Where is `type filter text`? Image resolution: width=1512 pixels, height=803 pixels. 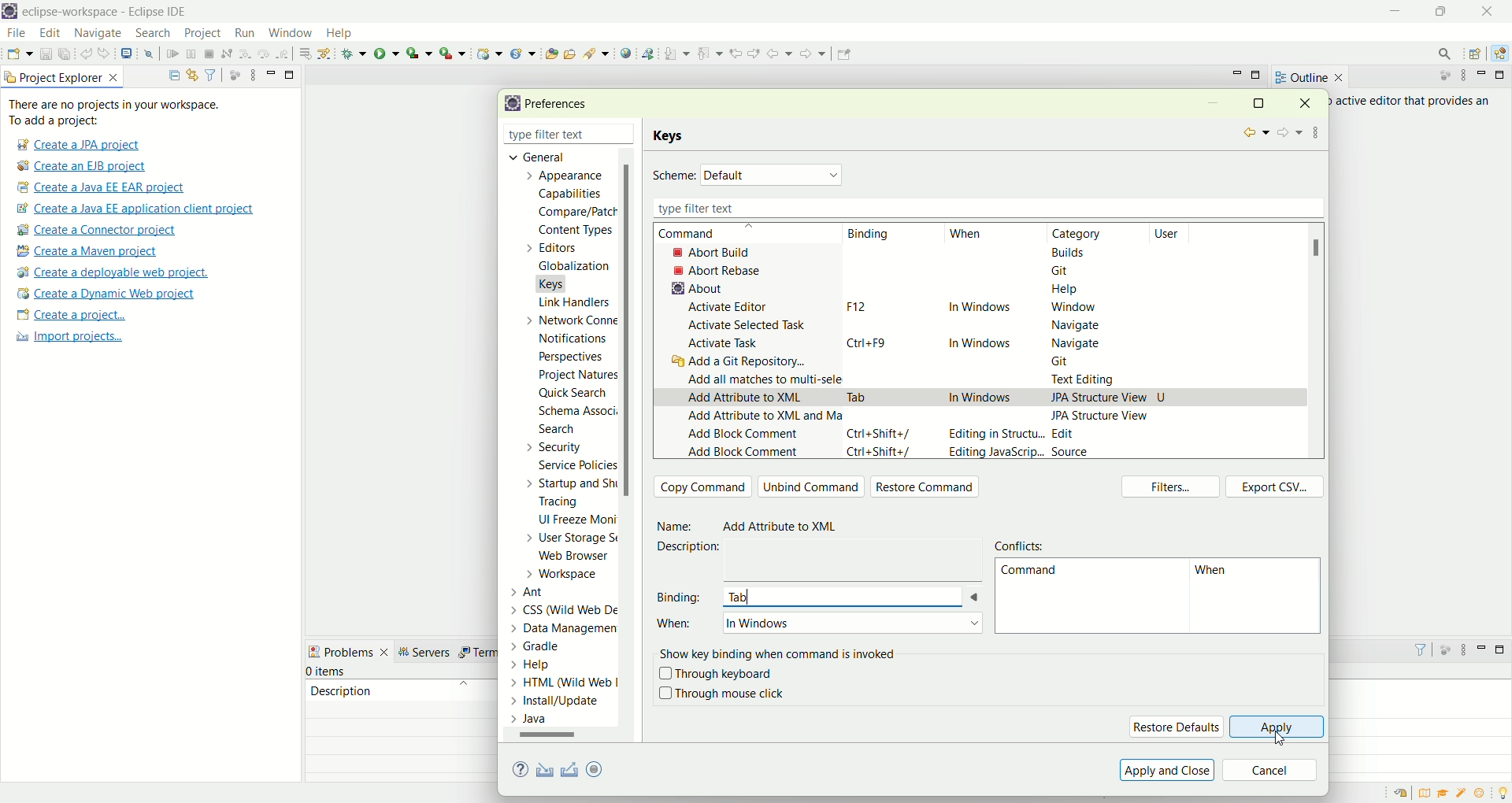 type filter text is located at coordinates (984, 208).